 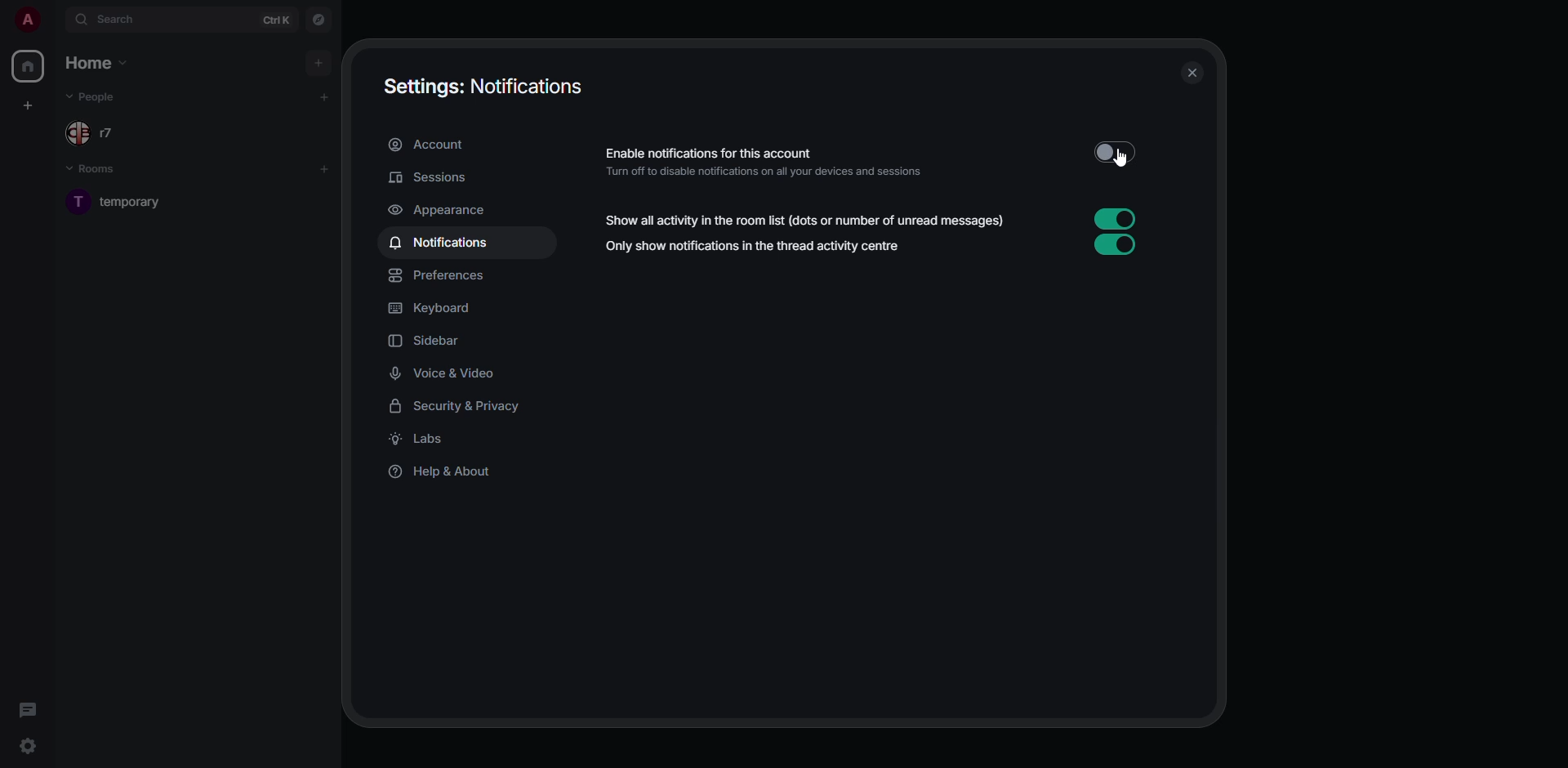 What do you see at coordinates (481, 86) in the screenshot?
I see `settings notifications` at bounding box center [481, 86].